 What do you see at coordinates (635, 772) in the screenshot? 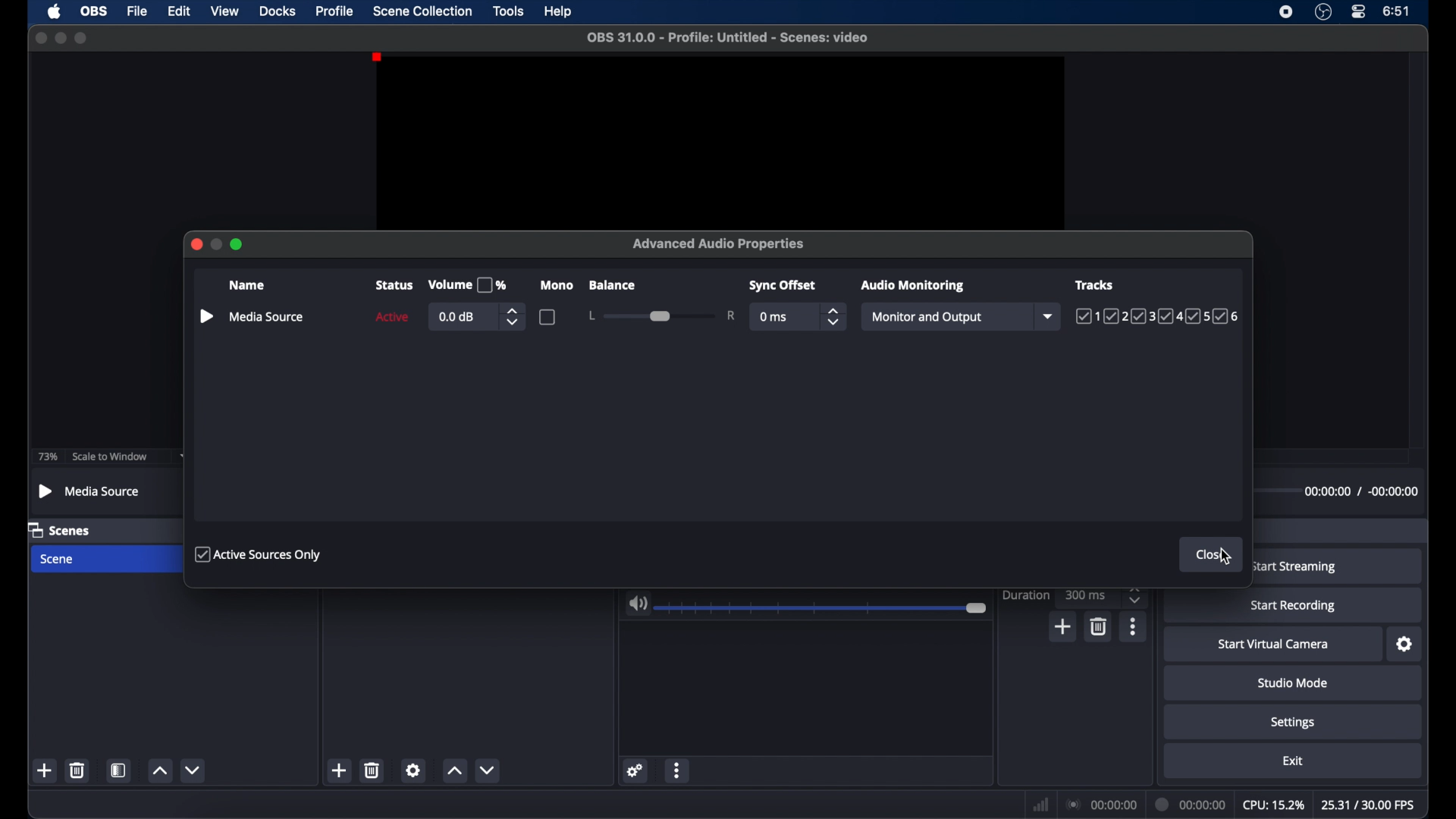
I see `settings` at bounding box center [635, 772].